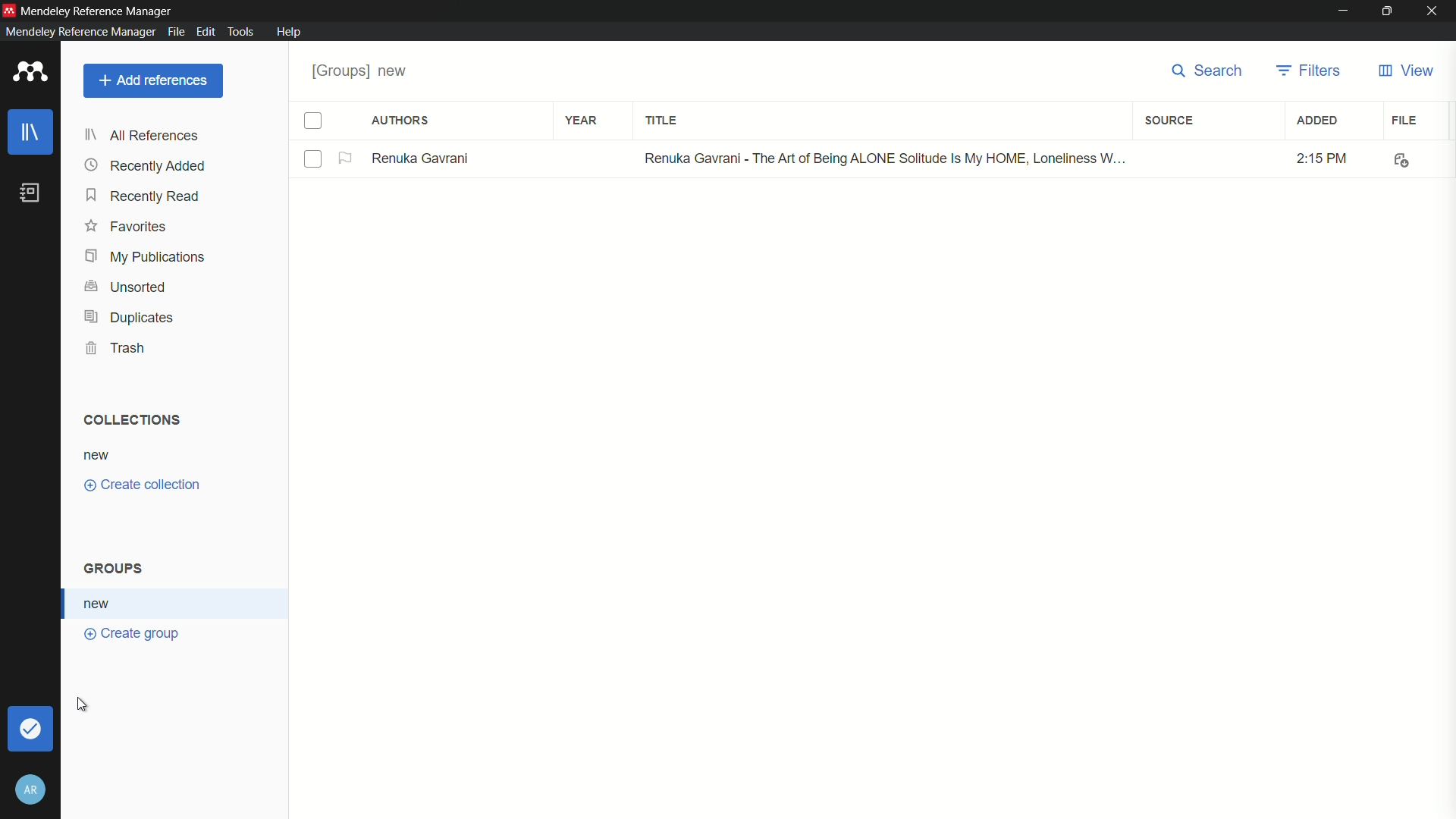  Describe the element at coordinates (242, 30) in the screenshot. I see `tools menu` at that location.